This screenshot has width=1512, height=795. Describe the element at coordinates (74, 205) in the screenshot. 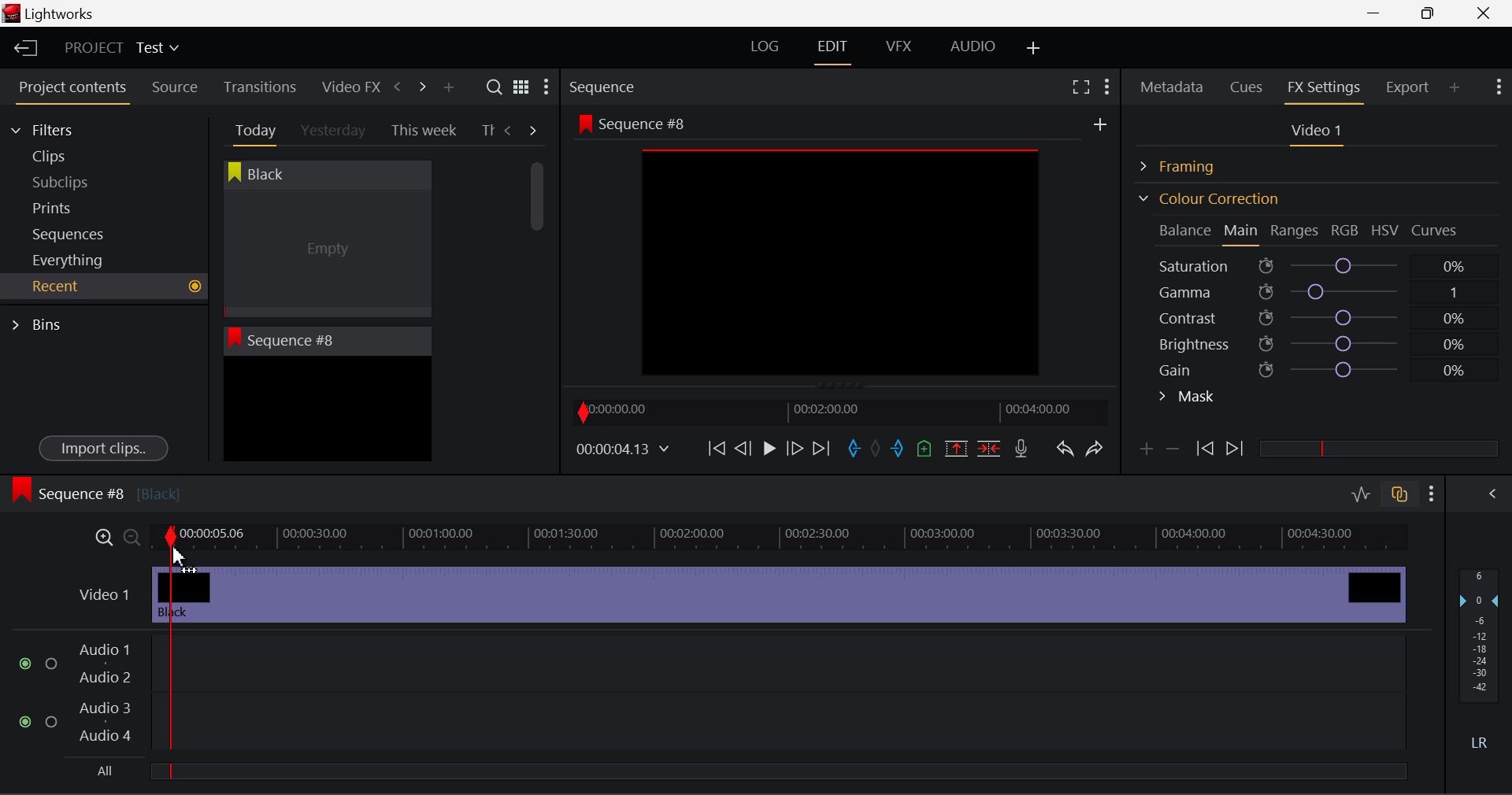

I see `Prints` at that location.